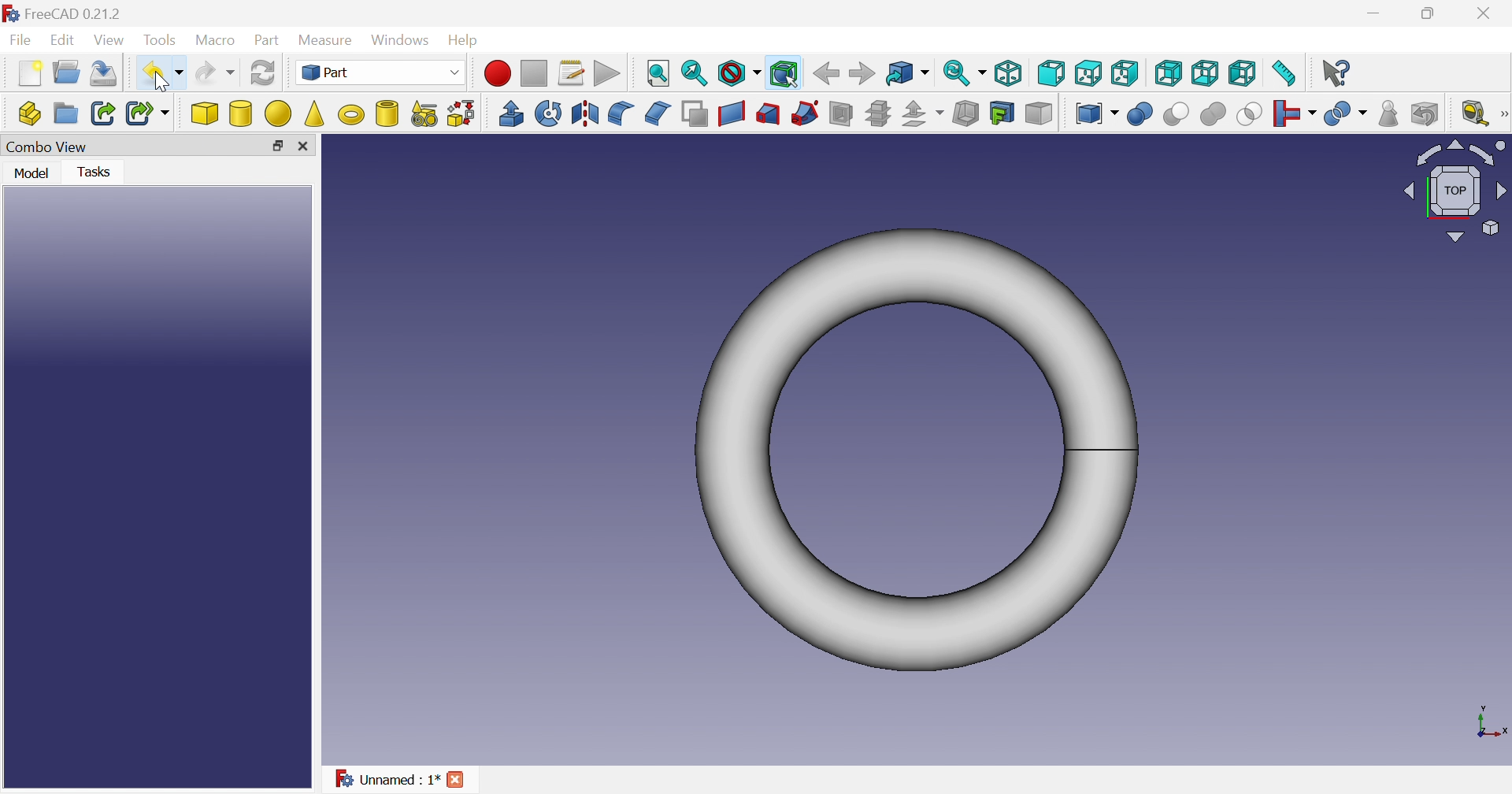 Image resolution: width=1512 pixels, height=794 pixels. I want to click on Tasks, so click(100, 173).